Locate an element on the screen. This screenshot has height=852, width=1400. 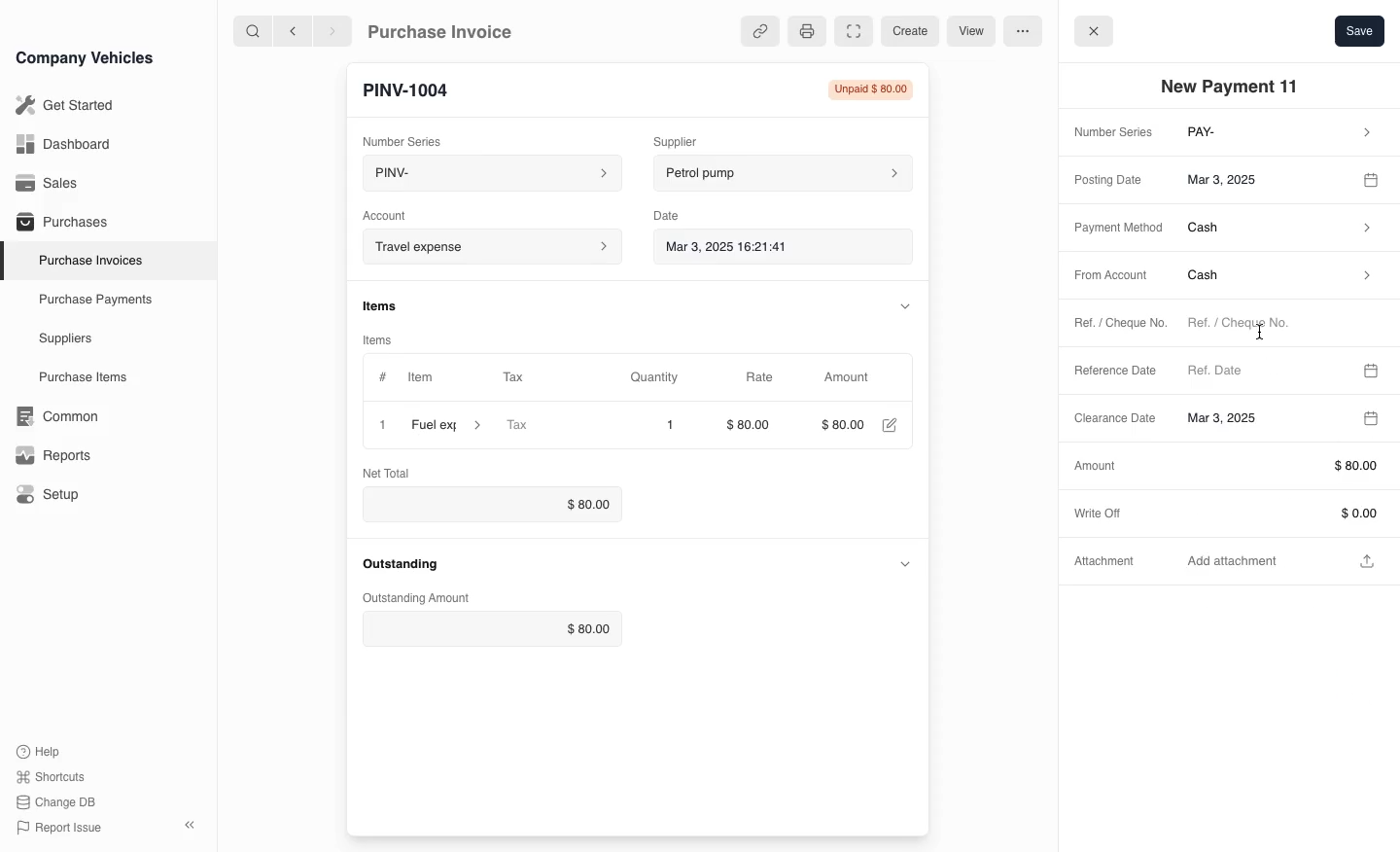
Shortcuts is located at coordinates (52, 778).